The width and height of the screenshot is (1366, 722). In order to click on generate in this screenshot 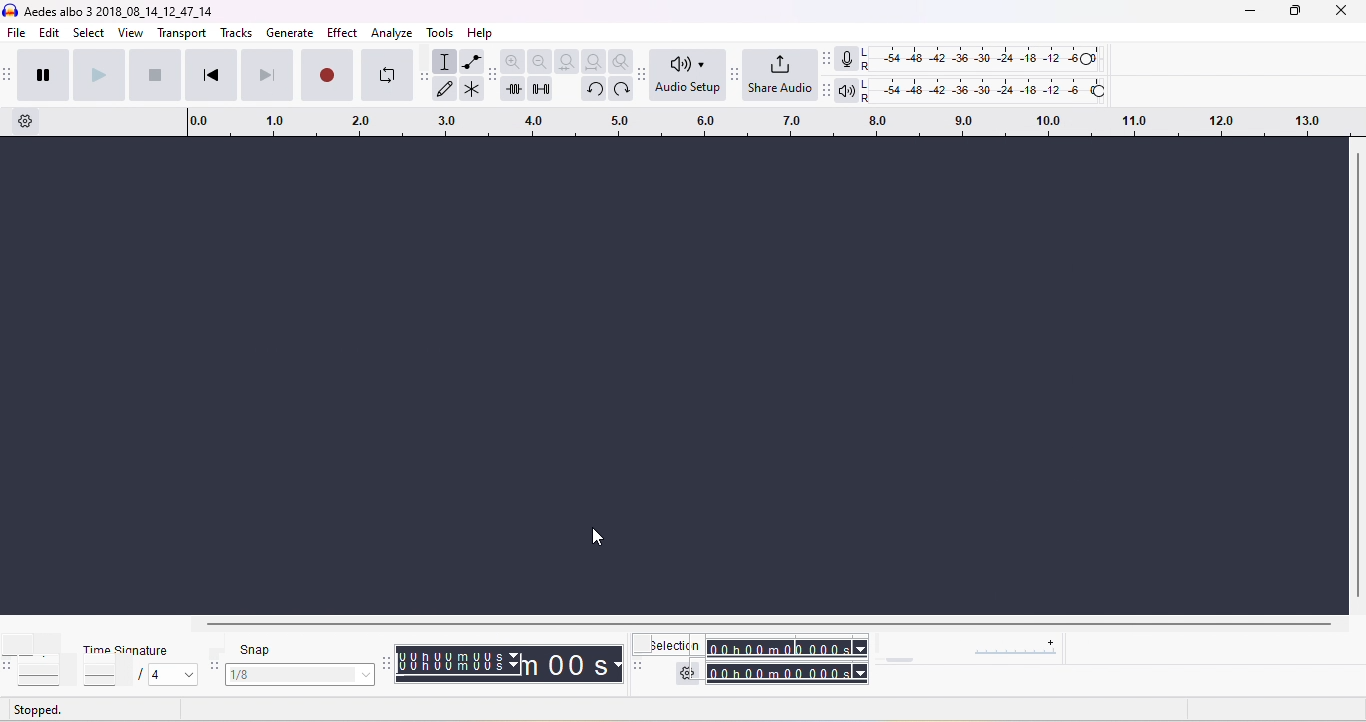, I will do `click(291, 34)`.